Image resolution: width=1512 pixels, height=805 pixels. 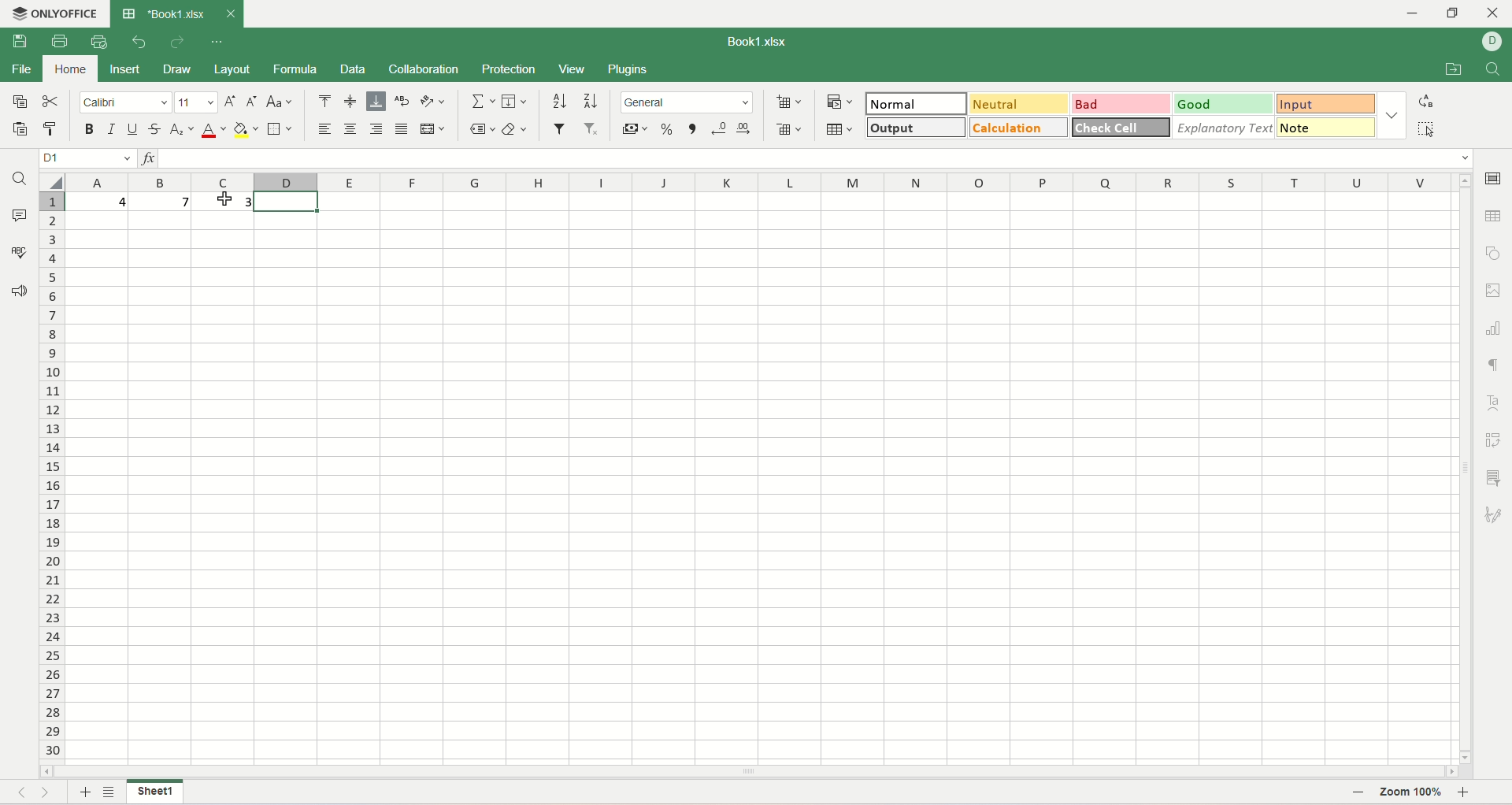 I want to click on paste, so click(x=54, y=129).